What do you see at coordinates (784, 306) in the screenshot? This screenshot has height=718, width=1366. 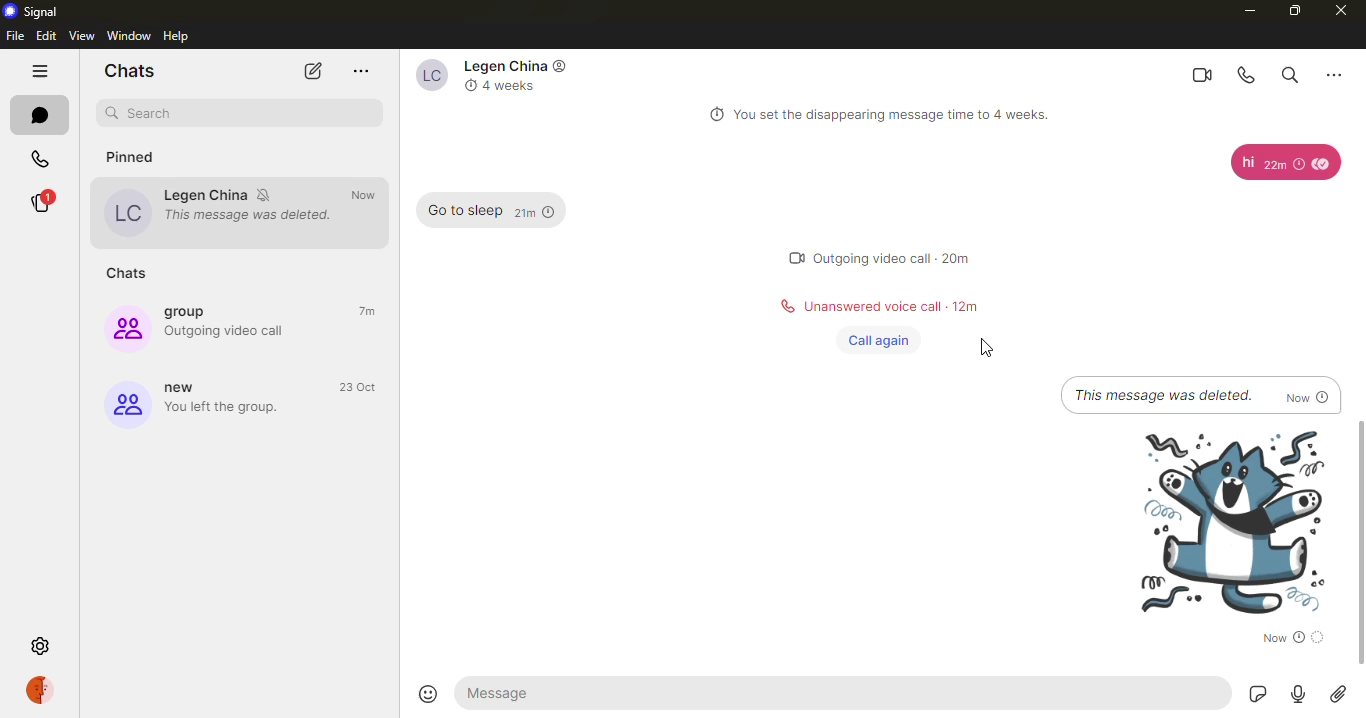 I see `call logo` at bounding box center [784, 306].